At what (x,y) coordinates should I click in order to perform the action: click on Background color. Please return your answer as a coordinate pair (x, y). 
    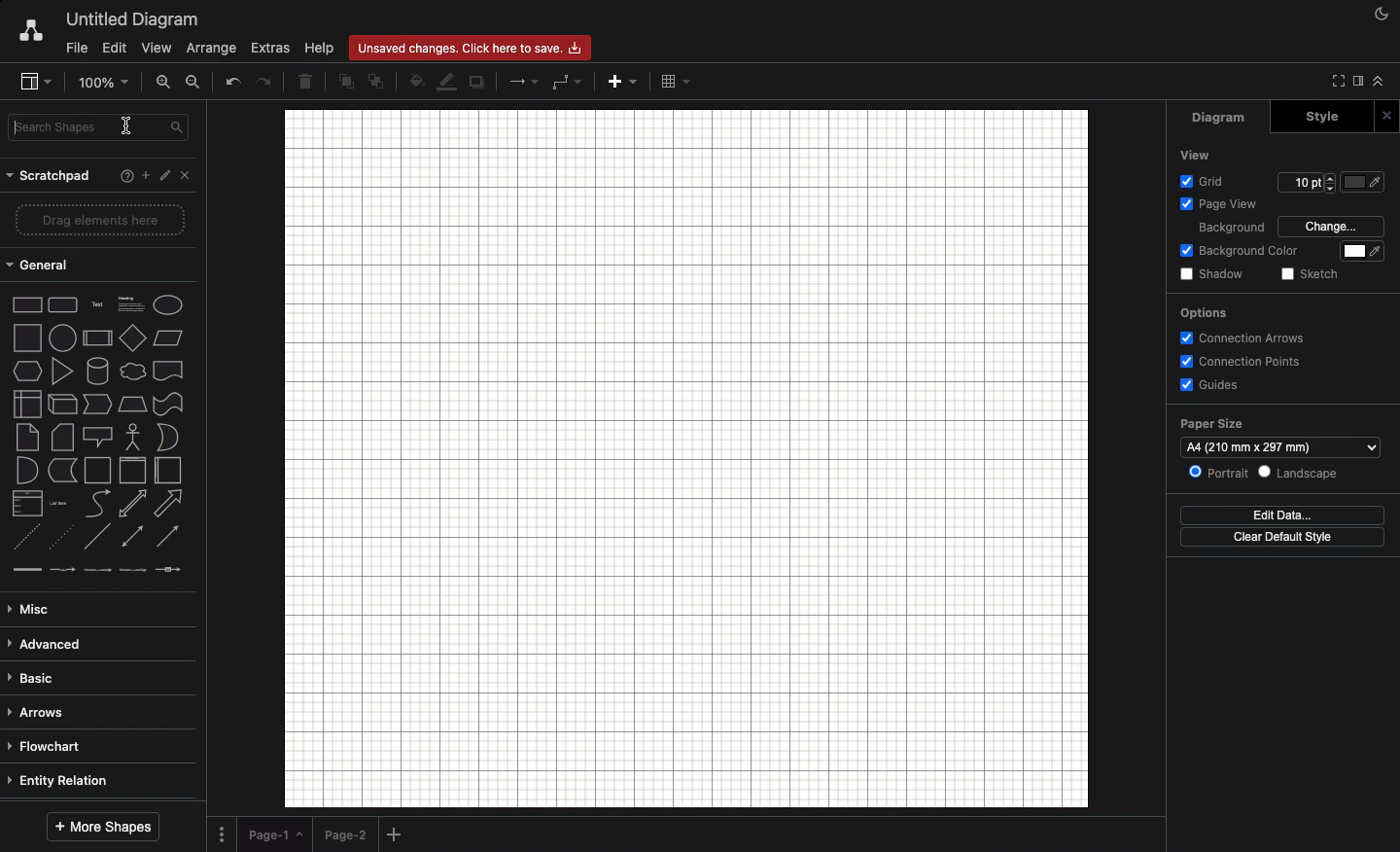
    Looking at the image, I should click on (1241, 252).